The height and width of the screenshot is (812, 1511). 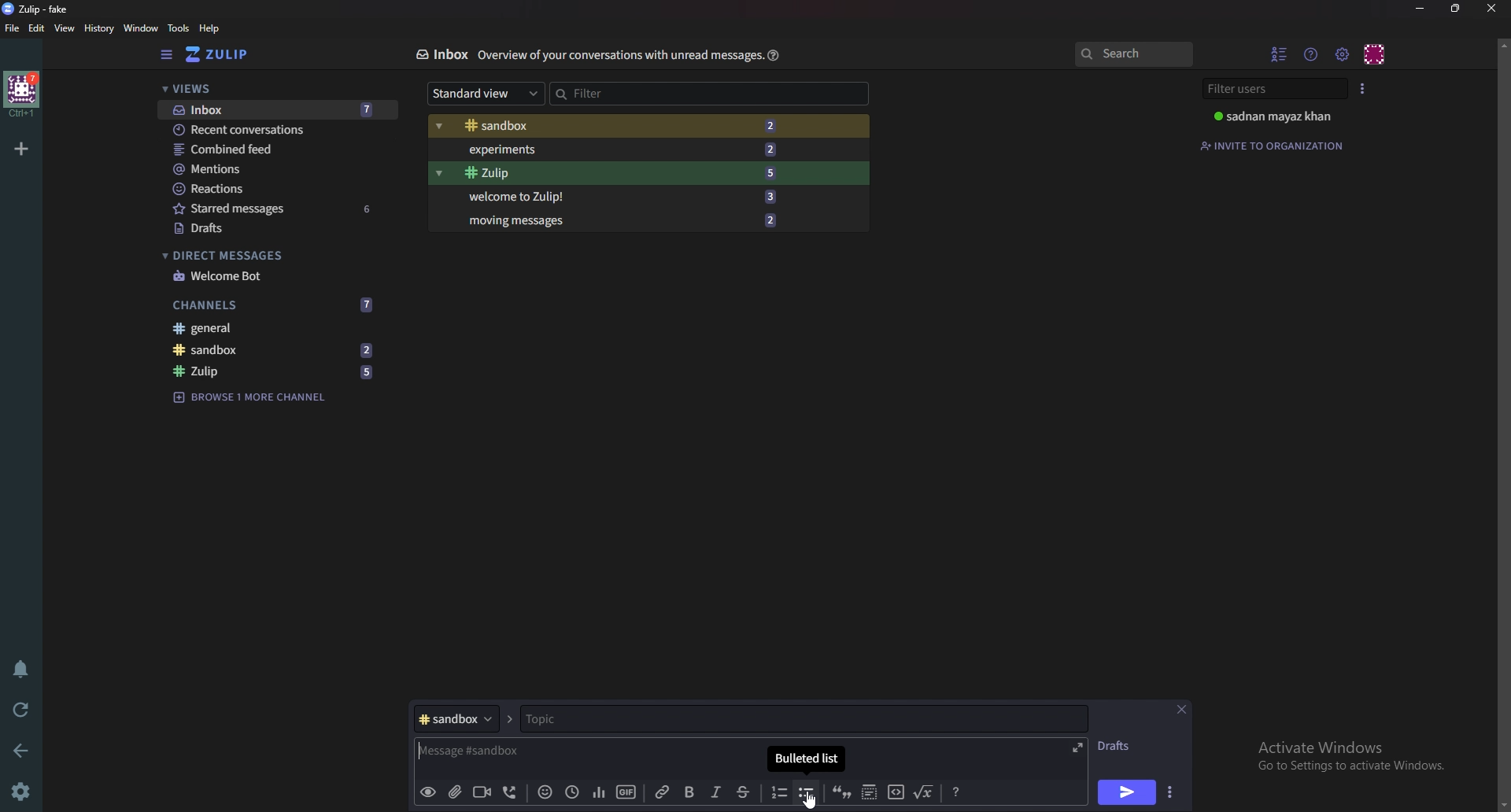 What do you see at coordinates (276, 169) in the screenshot?
I see `Mentions` at bounding box center [276, 169].